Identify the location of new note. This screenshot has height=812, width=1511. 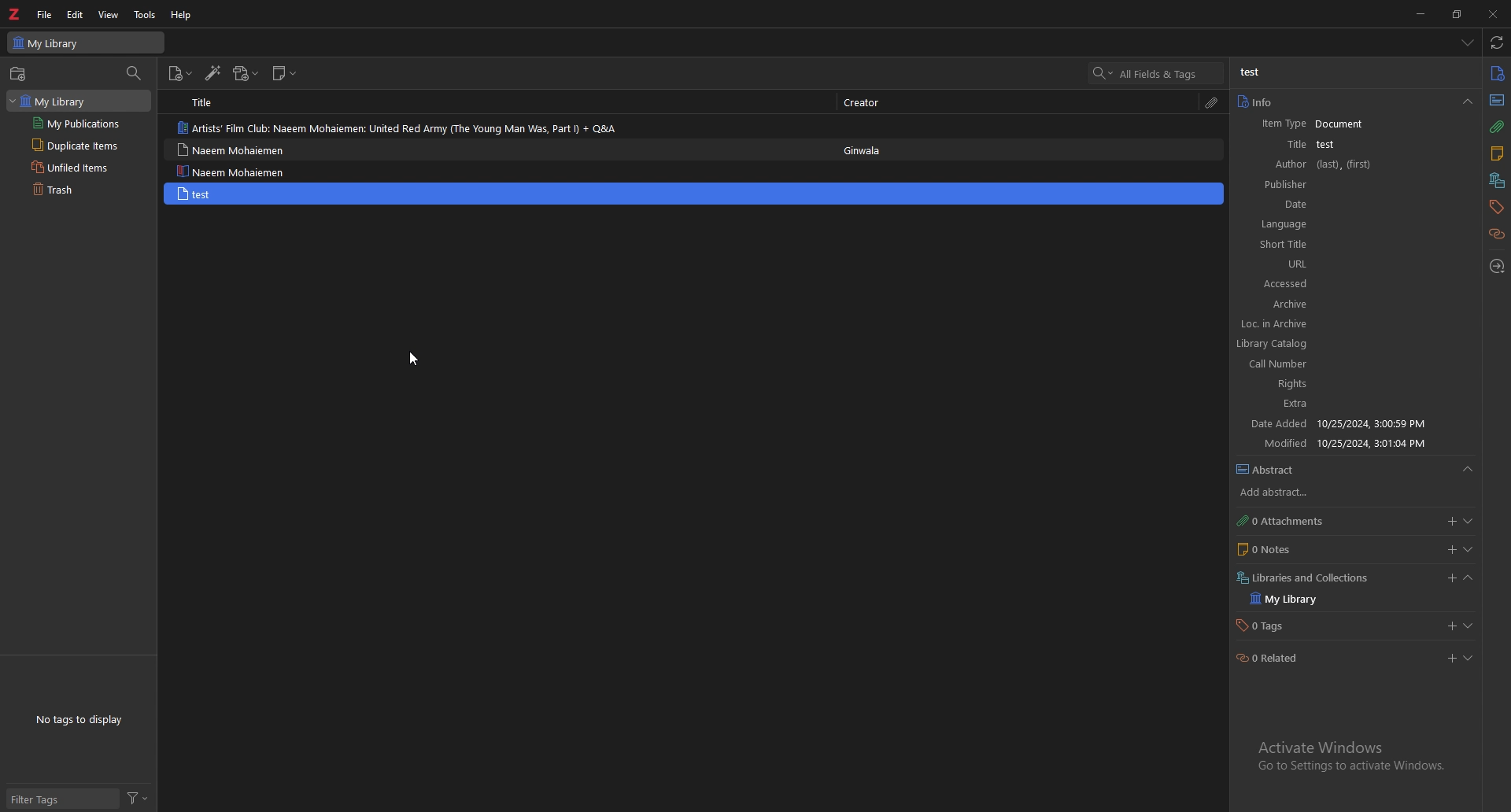
(286, 73).